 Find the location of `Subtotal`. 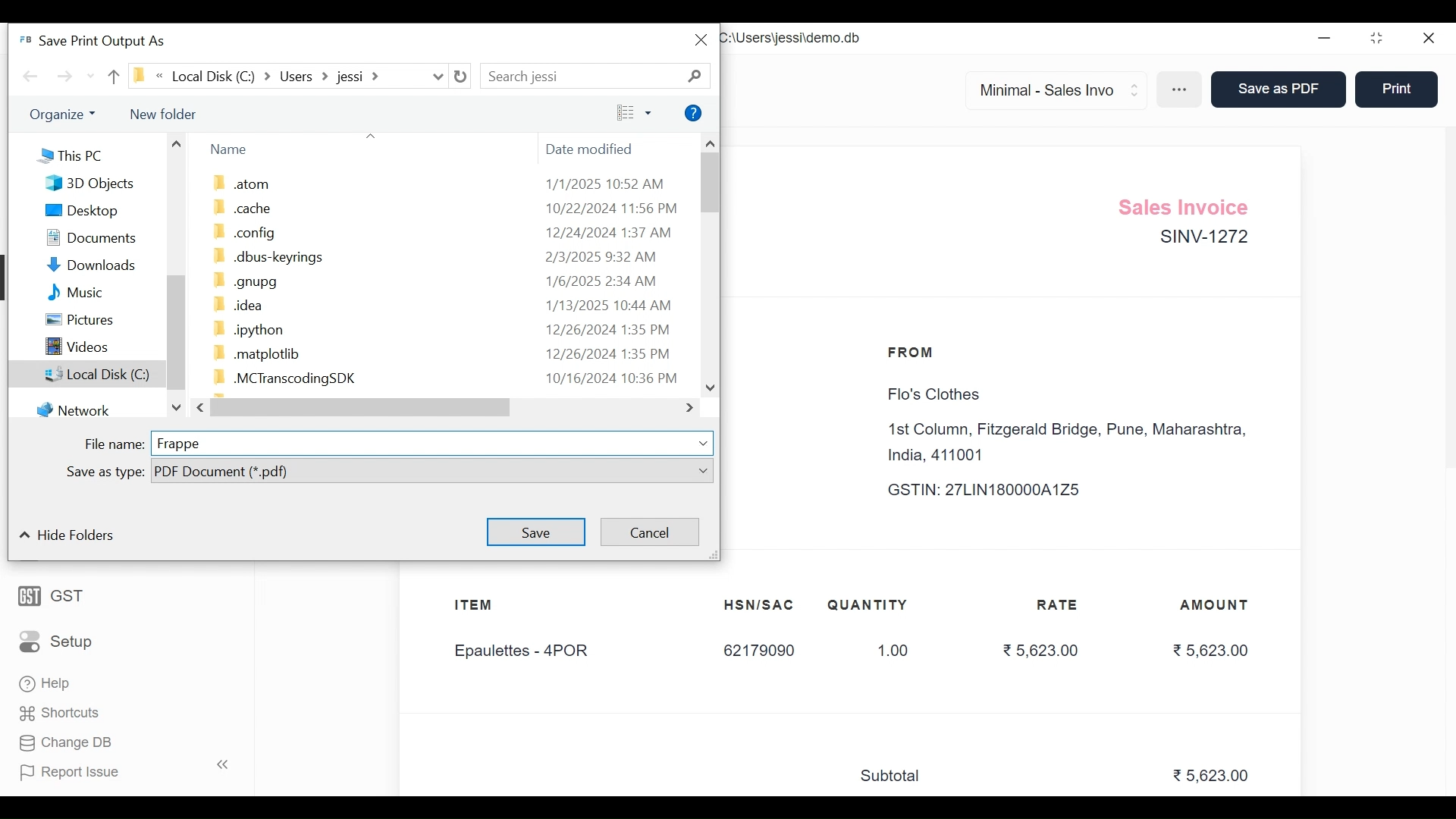

Subtotal is located at coordinates (897, 777).